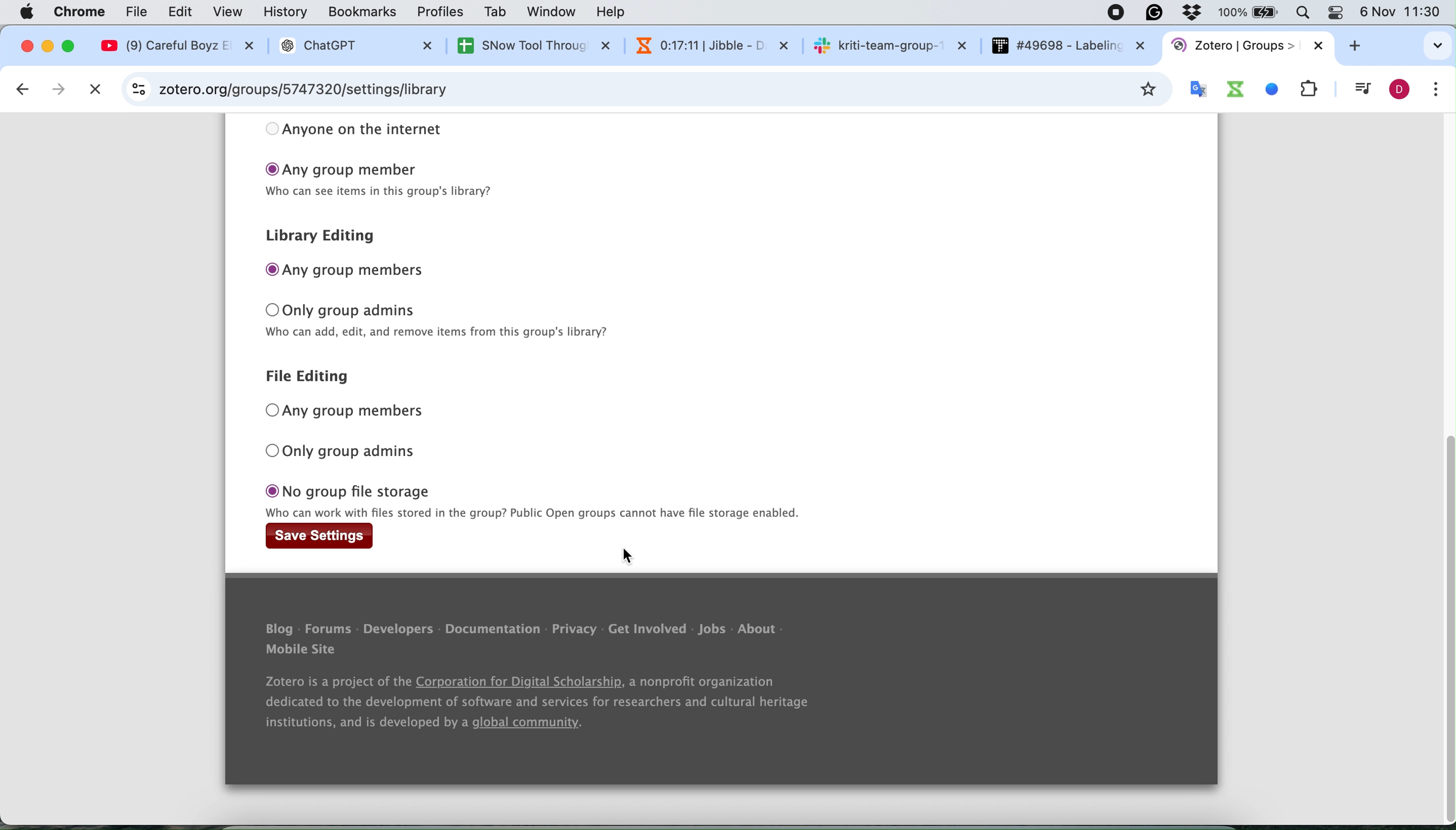 The image size is (1456, 830). I want to click on Blog - Forums - Developers - Documentation - Privacy - Get Involved - Jobs - About
Mobile Site

Zotero is a project of the Corporation for Digital Scholarship, a nonprofit organization
dedicated to the development of software and services for researchers and cultural heritage
institutions, and is developed by a global community., so click(551, 682).